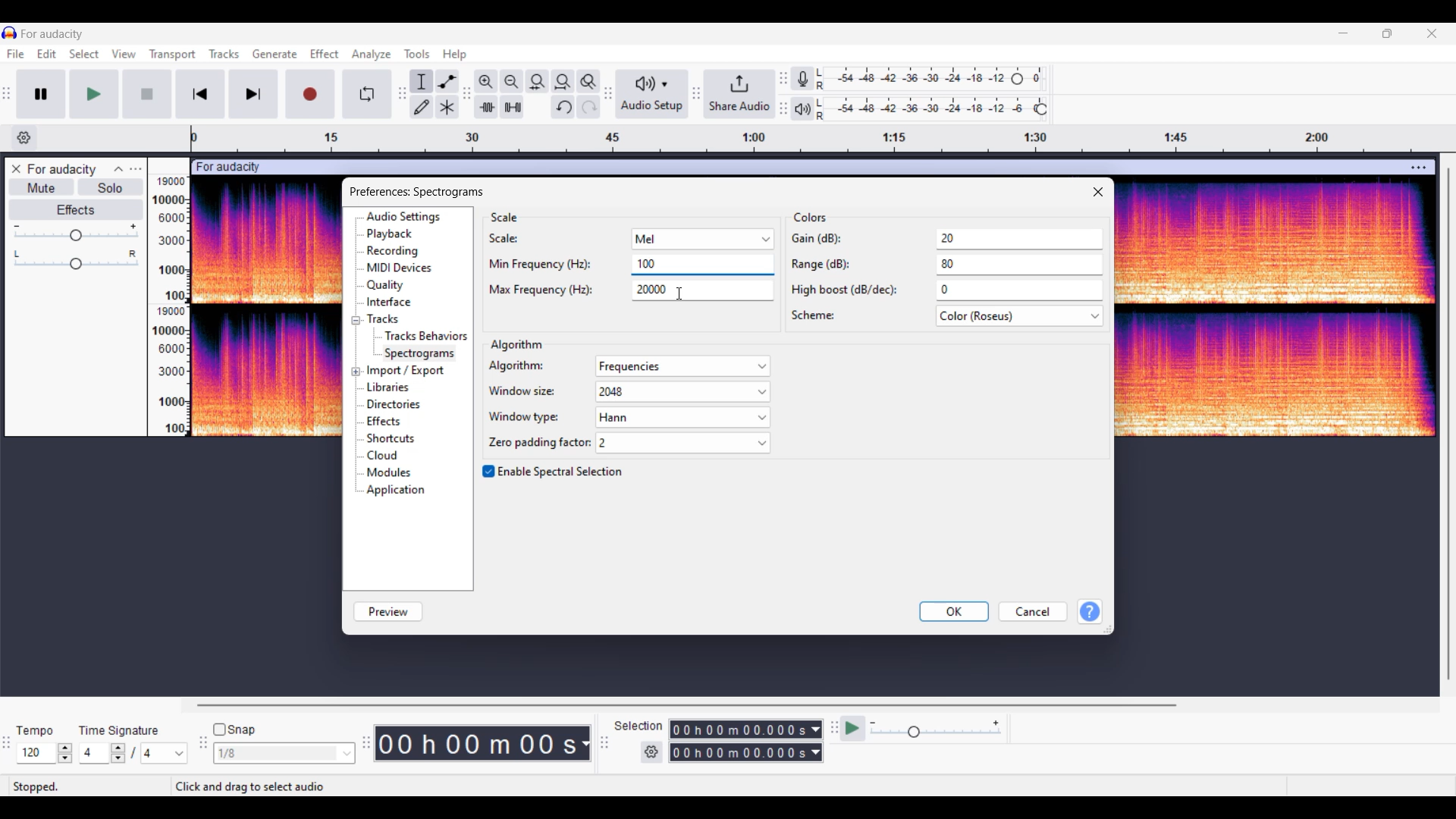 The height and width of the screenshot is (819, 1456). Describe the element at coordinates (234, 730) in the screenshot. I see `Snap toggle` at that location.